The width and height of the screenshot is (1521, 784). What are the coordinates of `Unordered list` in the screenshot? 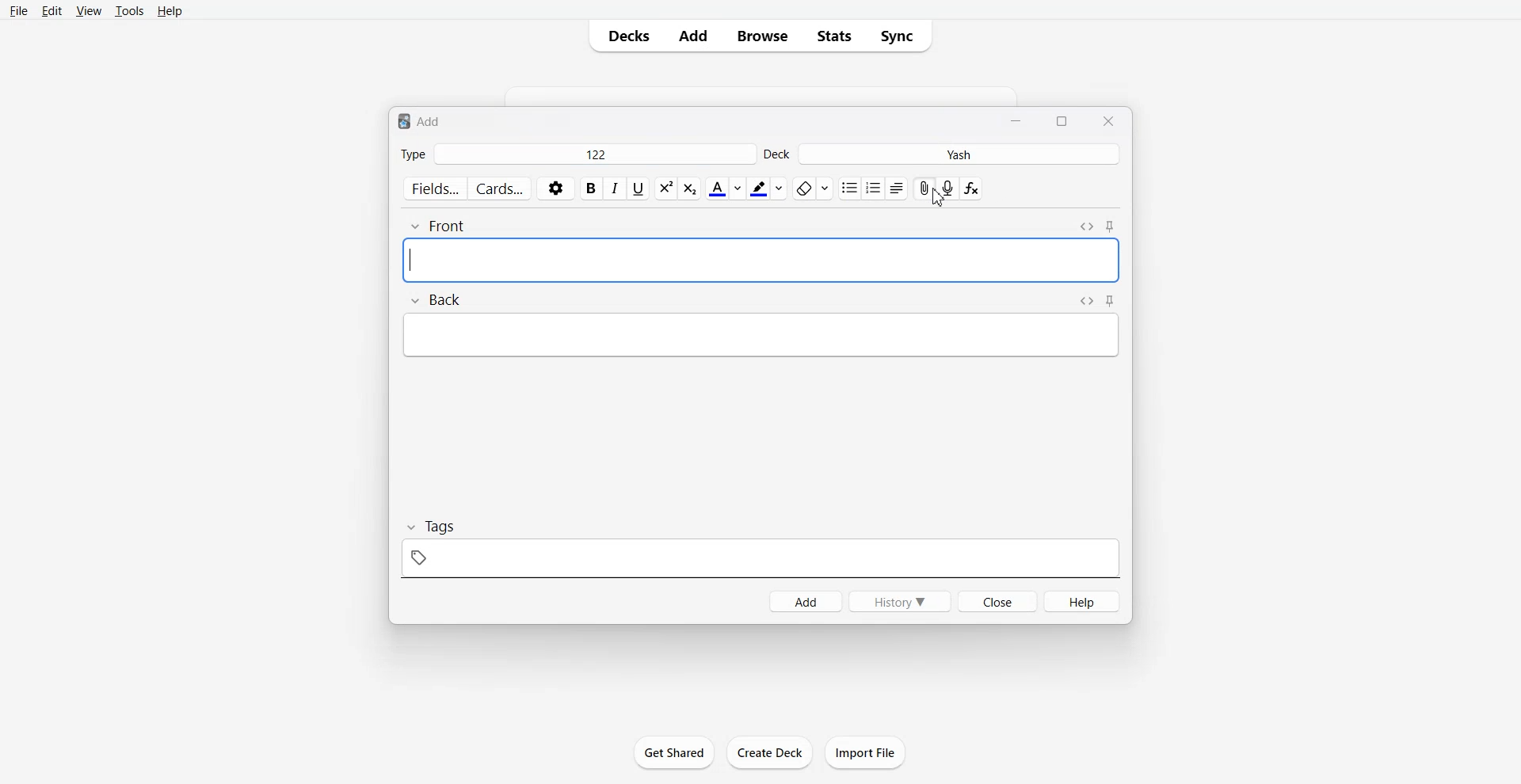 It's located at (849, 188).